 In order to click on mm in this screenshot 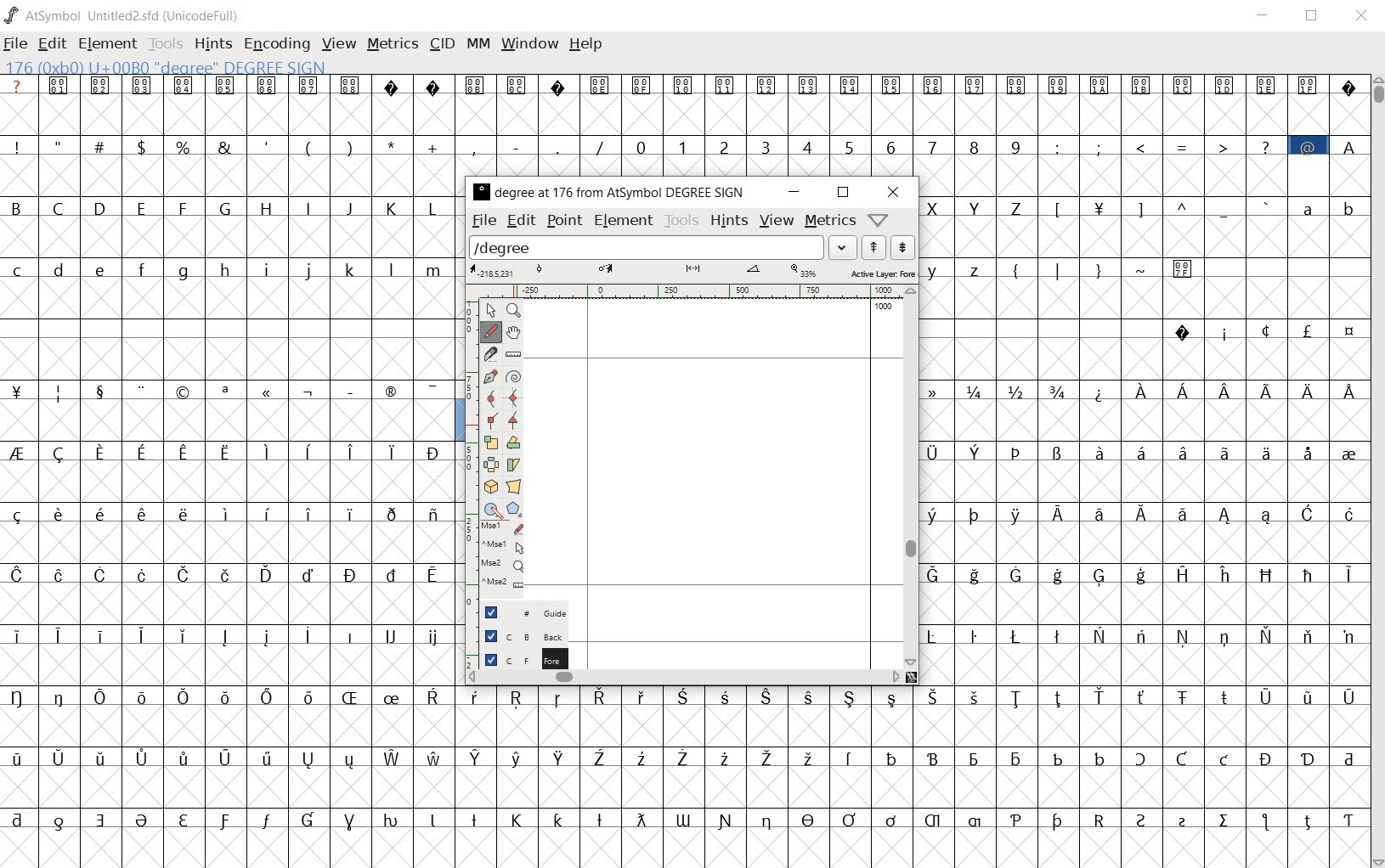, I will do `click(478, 44)`.